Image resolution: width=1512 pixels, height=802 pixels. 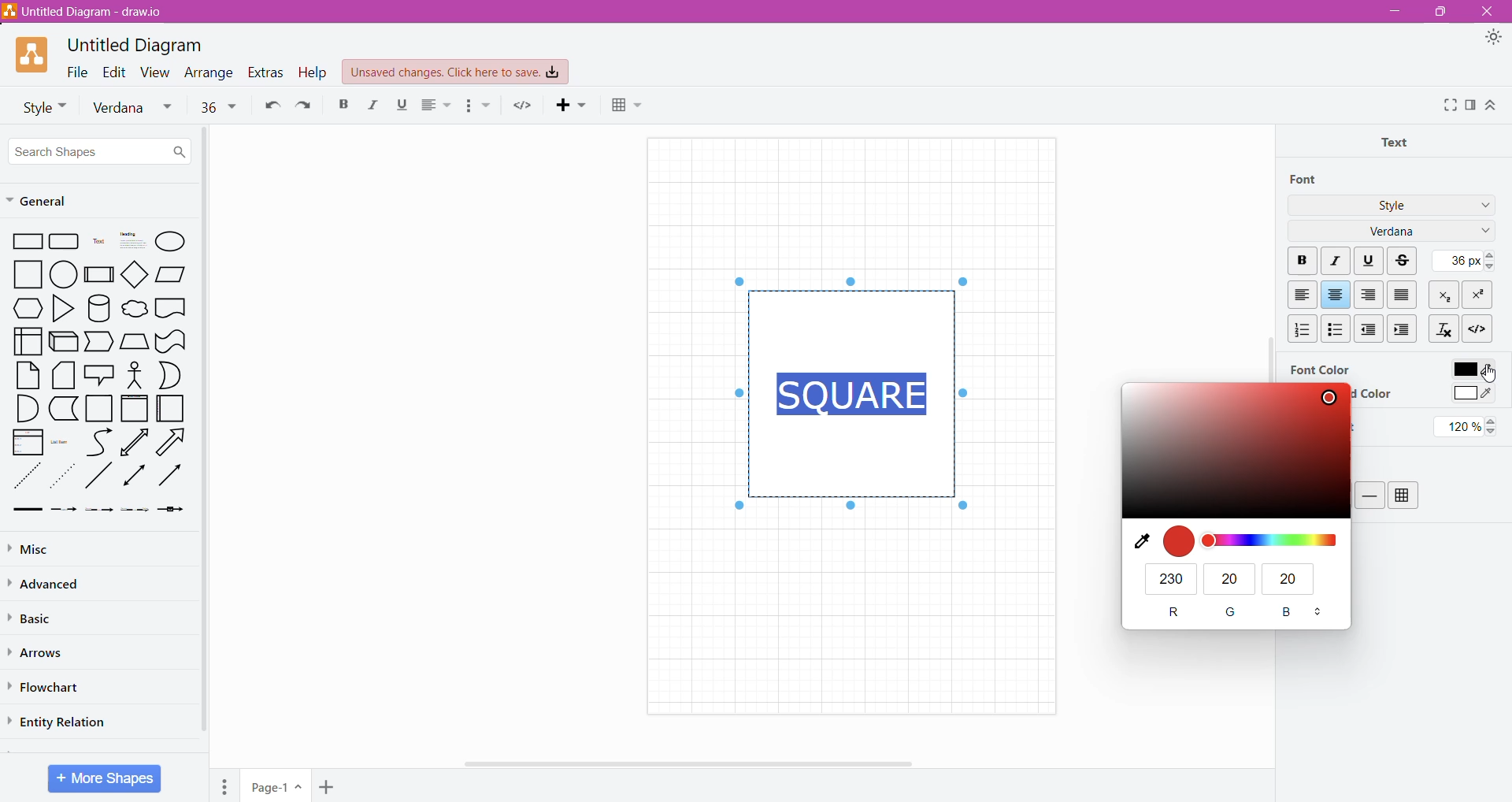 I want to click on Stacked Papers , so click(x=62, y=375).